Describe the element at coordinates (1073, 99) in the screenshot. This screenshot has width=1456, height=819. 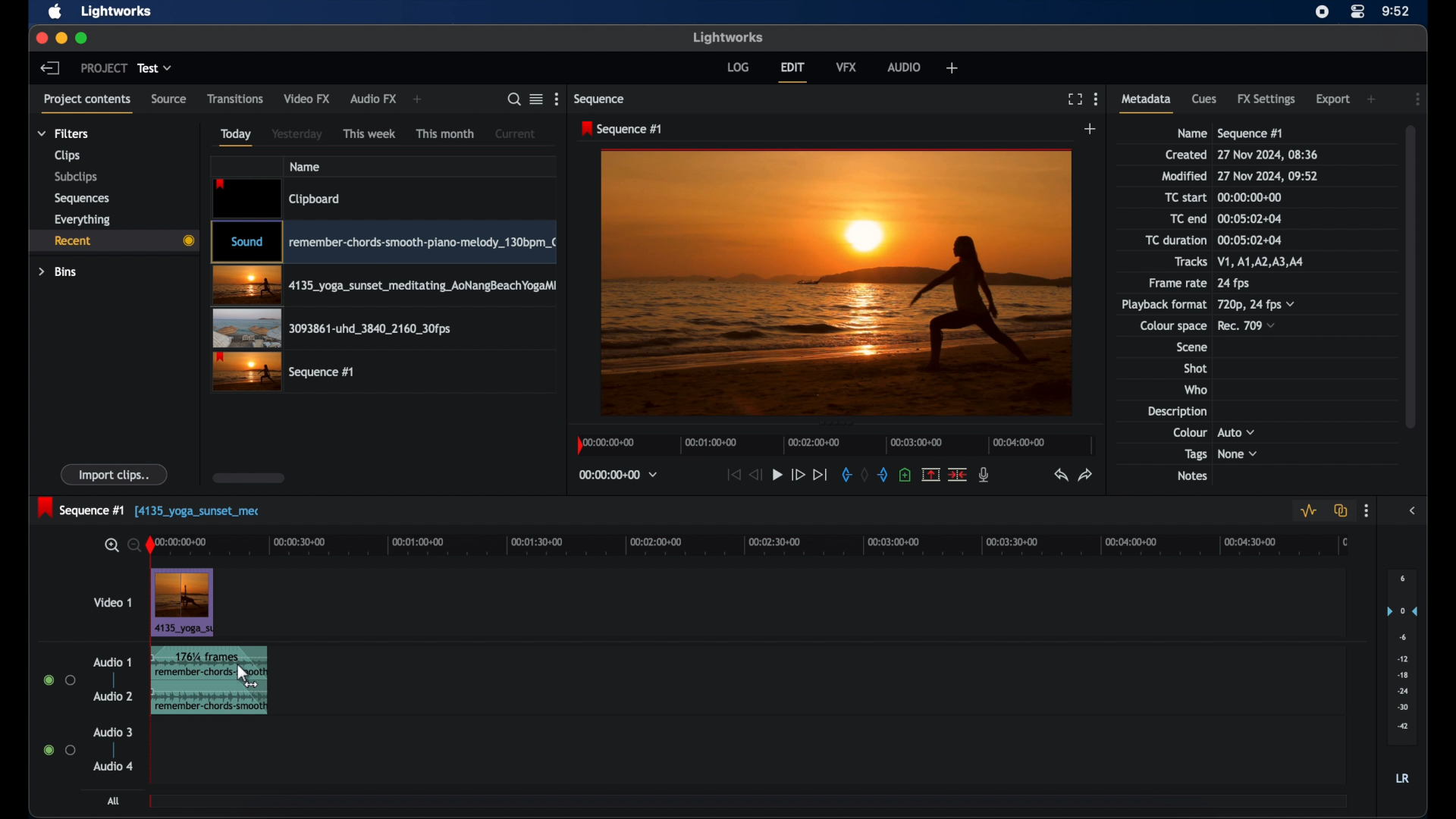
I see `full screen` at that location.